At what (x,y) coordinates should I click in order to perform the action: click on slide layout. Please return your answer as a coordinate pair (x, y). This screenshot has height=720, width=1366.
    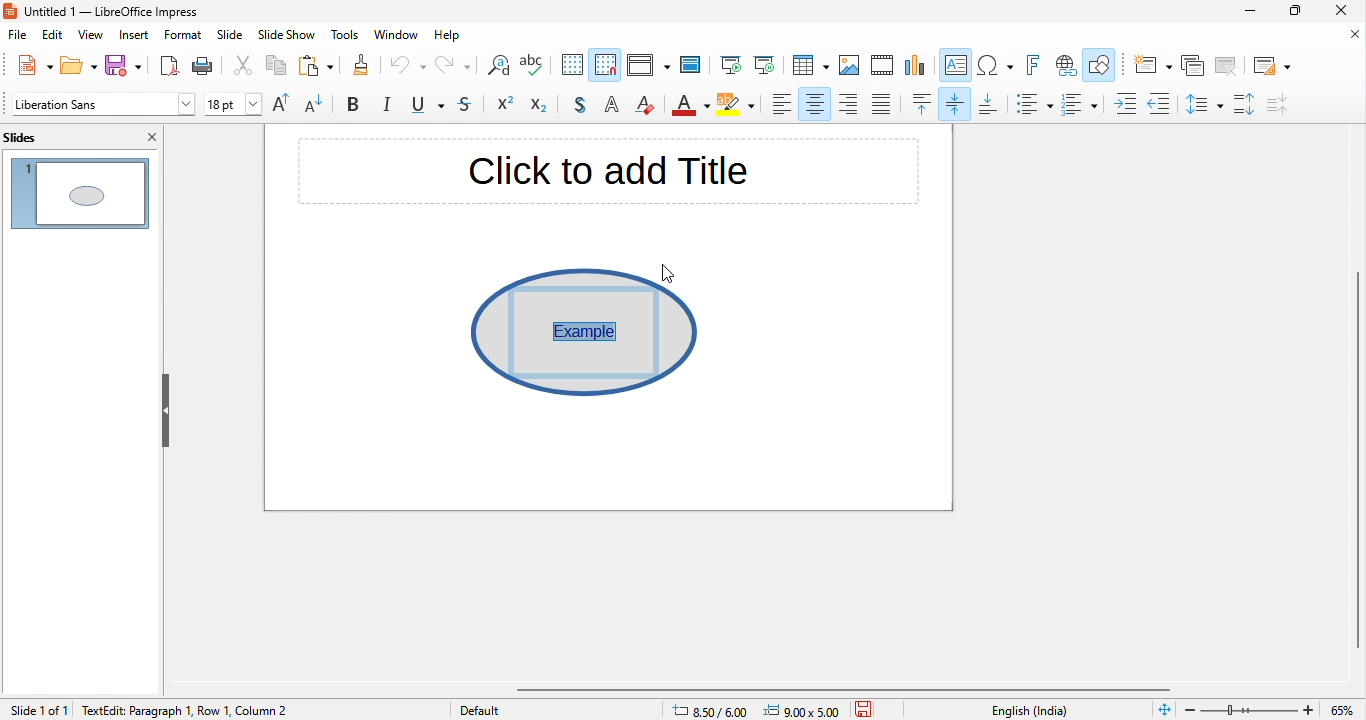
    Looking at the image, I should click on (1269, 64).